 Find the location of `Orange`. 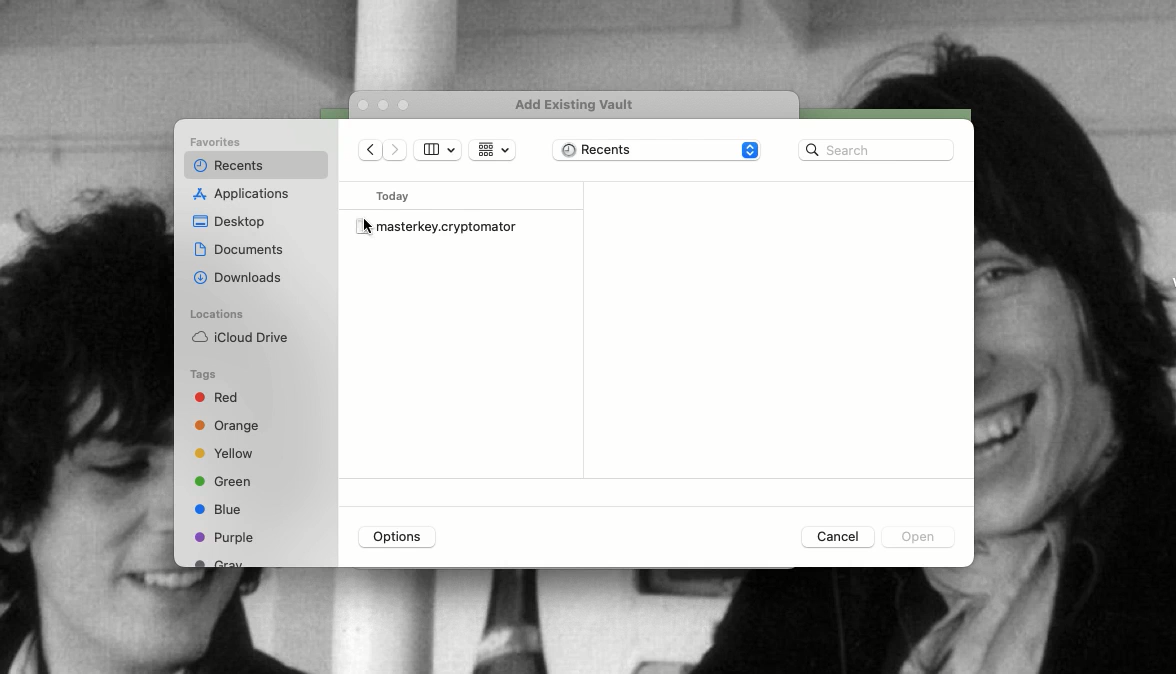

Orange is located at coordinates (228, 427).